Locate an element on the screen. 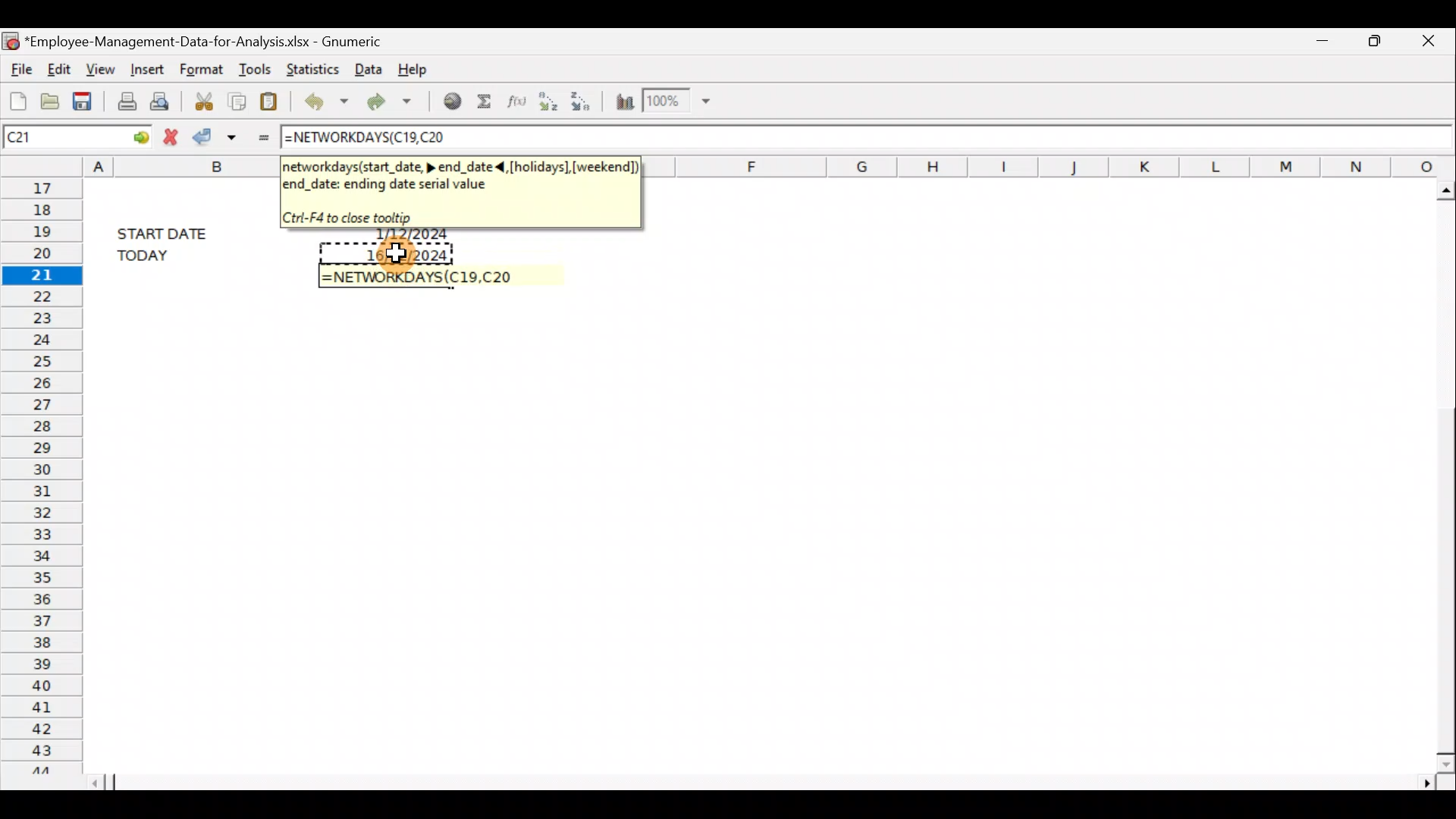  Redo undone action is located at coordinates (386, 101).